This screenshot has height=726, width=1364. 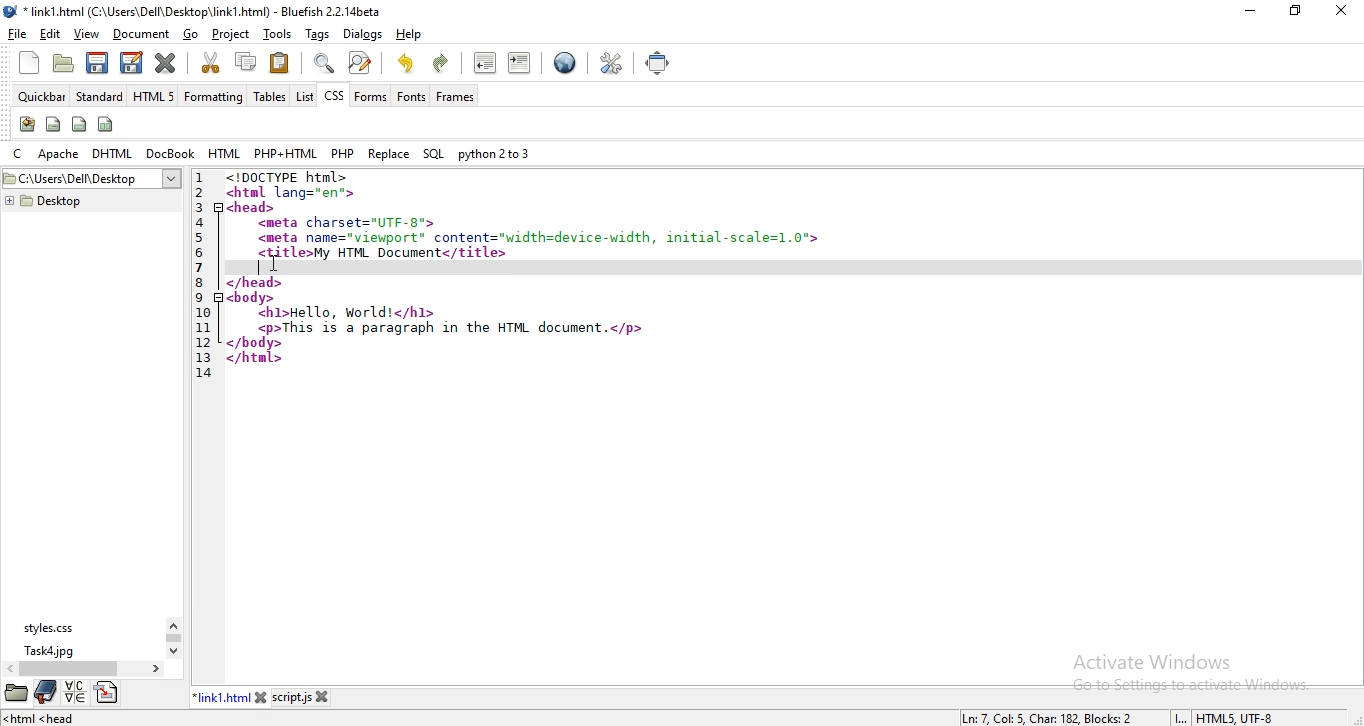 I want to click on undo, so click(x=407, y=63).